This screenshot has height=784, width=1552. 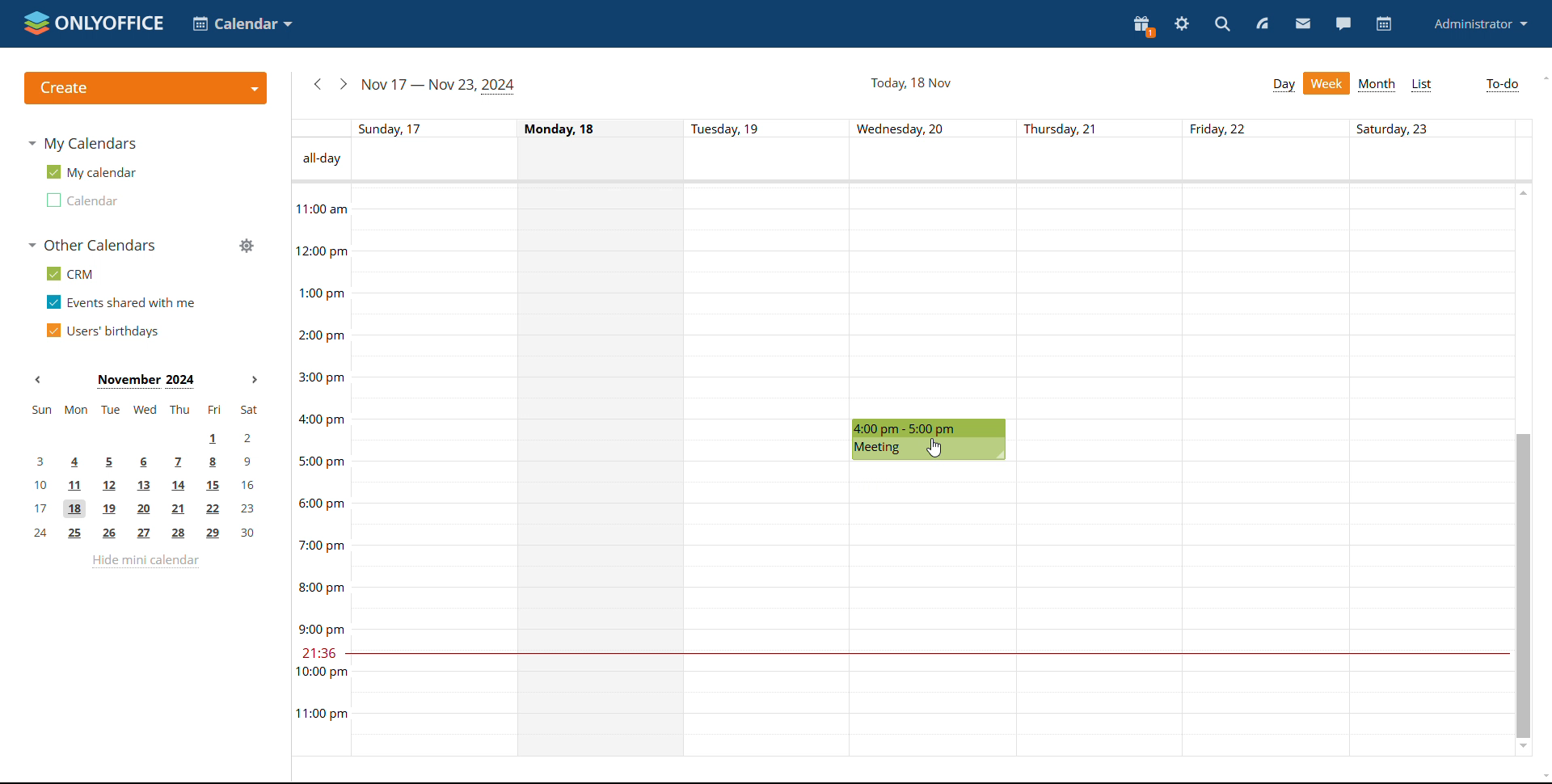 What do you see at coordinates (1421, 85) in the screenshot?
I see `list view` at bounding box center [1421, 85].